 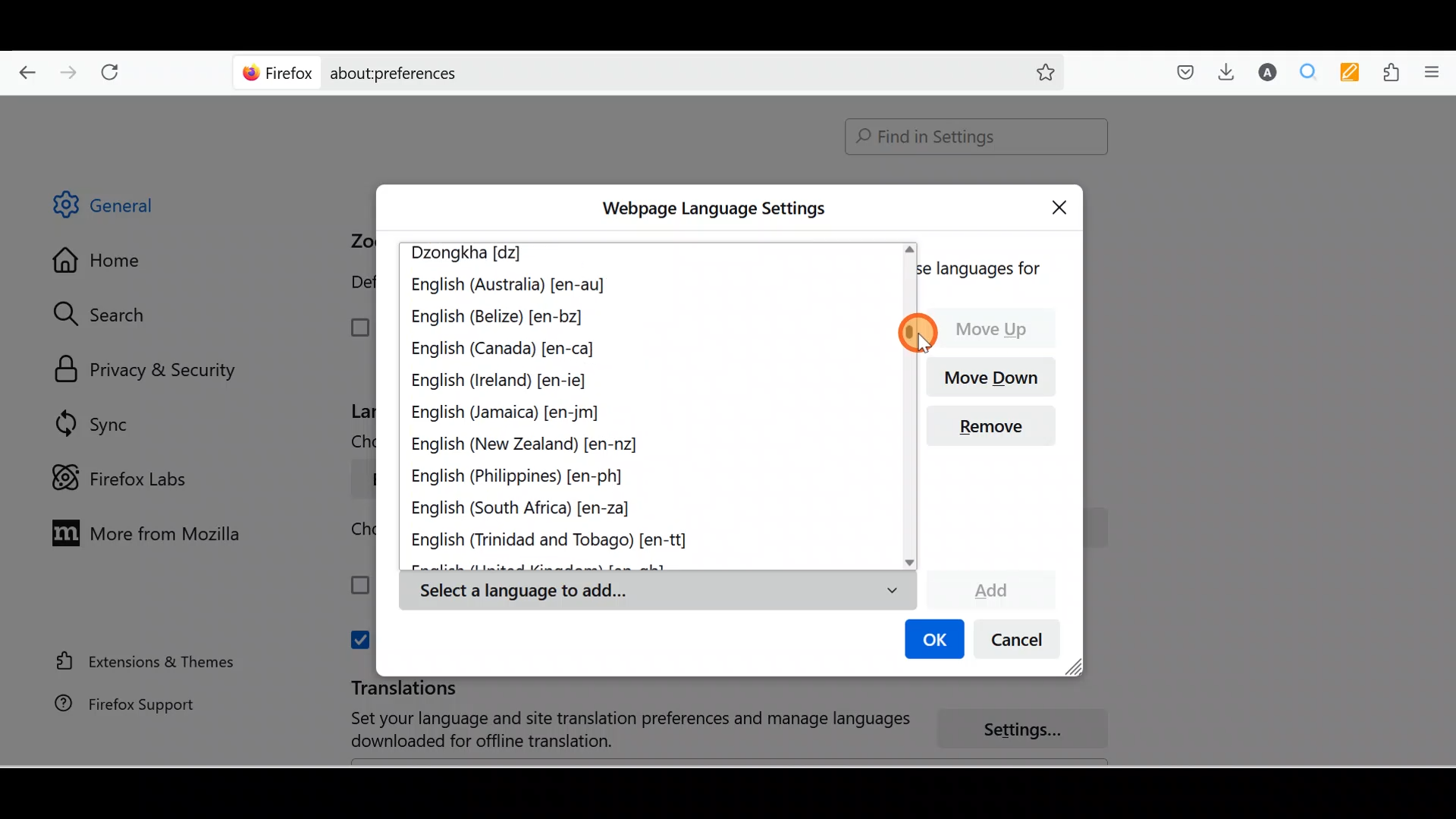 I want to click on cursor, so click(x=915, y=333).